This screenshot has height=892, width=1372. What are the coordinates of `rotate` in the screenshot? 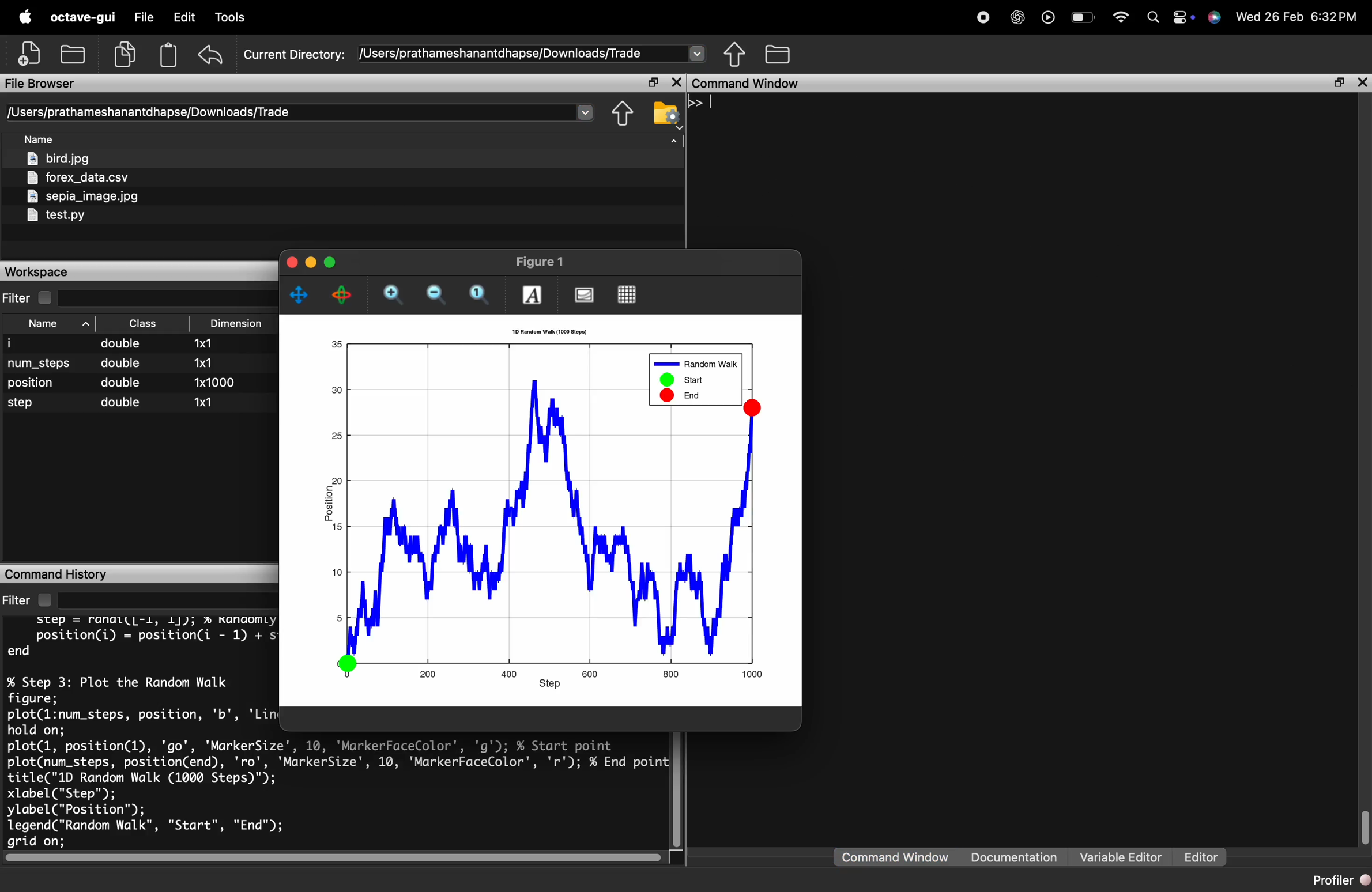 It's located at (344, 296).